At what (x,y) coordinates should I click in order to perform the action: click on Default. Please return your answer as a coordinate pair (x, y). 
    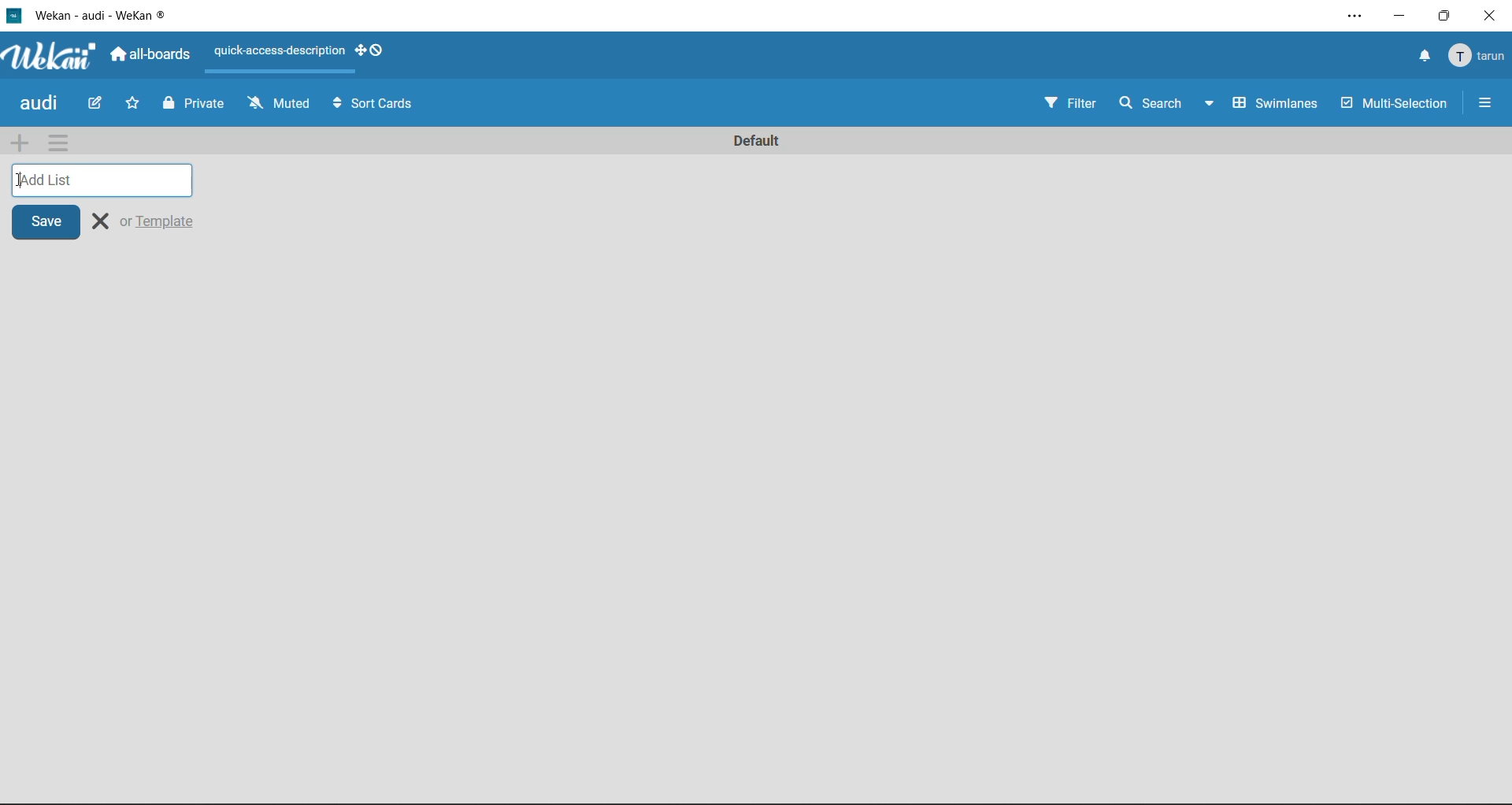
    Looking at the image, I should click on (759, 142).